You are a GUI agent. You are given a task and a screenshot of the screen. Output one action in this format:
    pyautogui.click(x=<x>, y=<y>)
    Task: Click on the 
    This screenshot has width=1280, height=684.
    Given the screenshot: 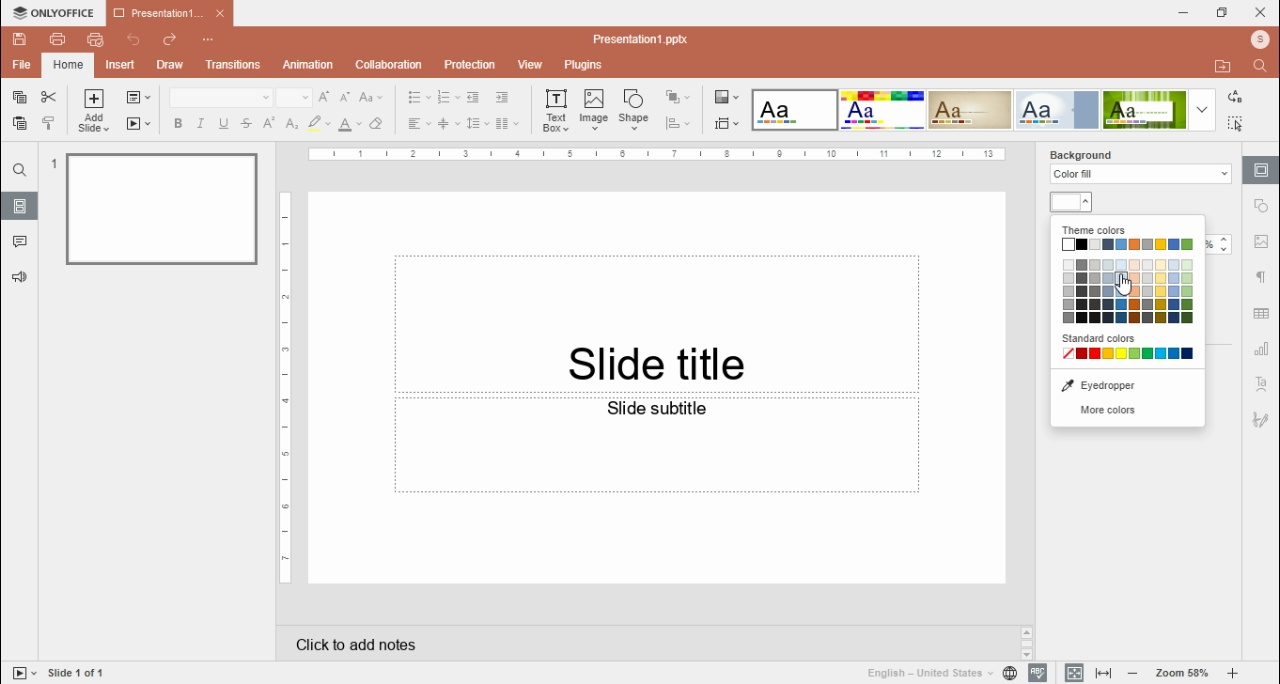 What is the action you would take?
    pyautogui.click(x=1259, y=422)
    